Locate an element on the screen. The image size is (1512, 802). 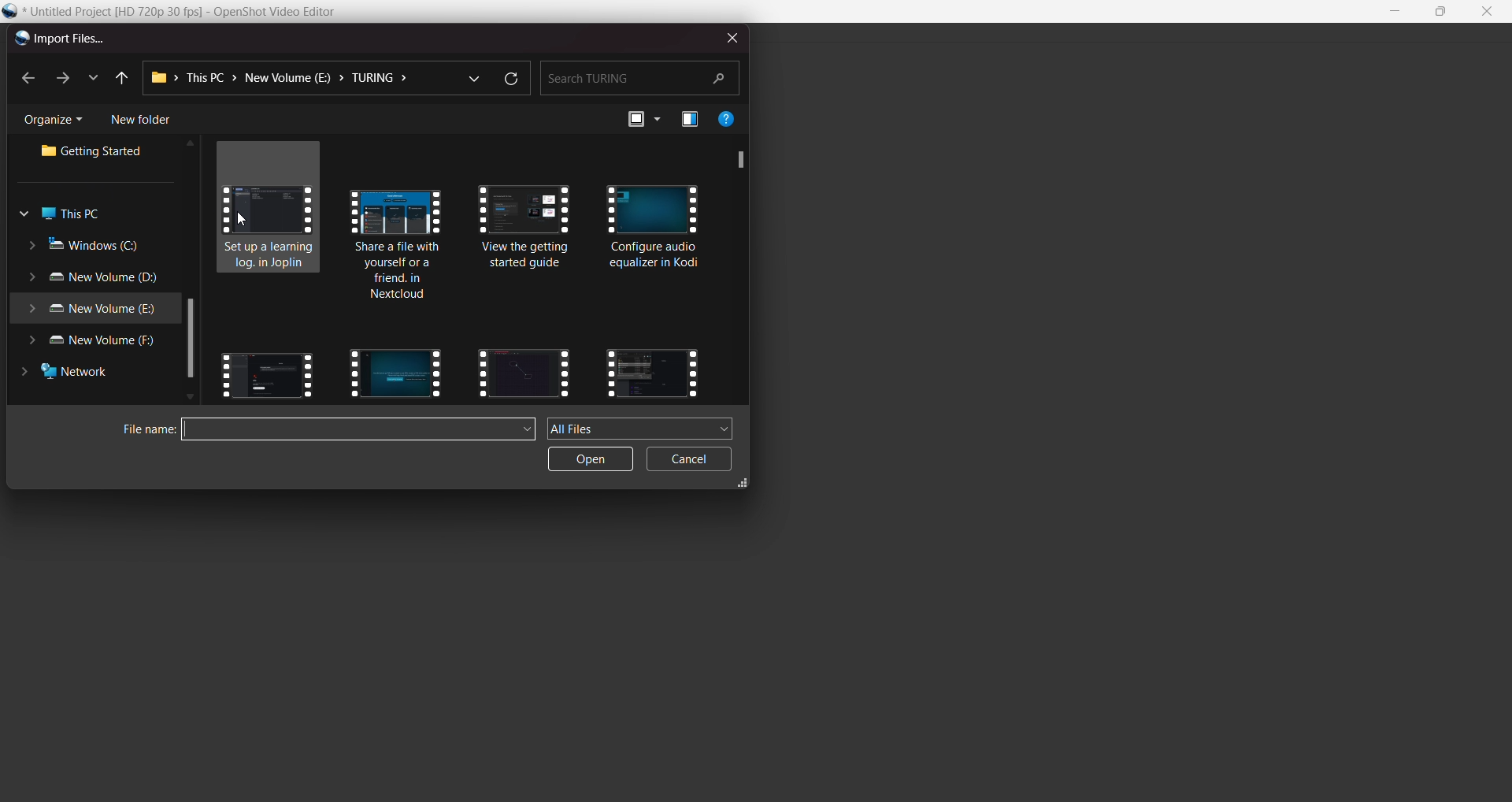
new volume d is located at coordinates (97, 279).